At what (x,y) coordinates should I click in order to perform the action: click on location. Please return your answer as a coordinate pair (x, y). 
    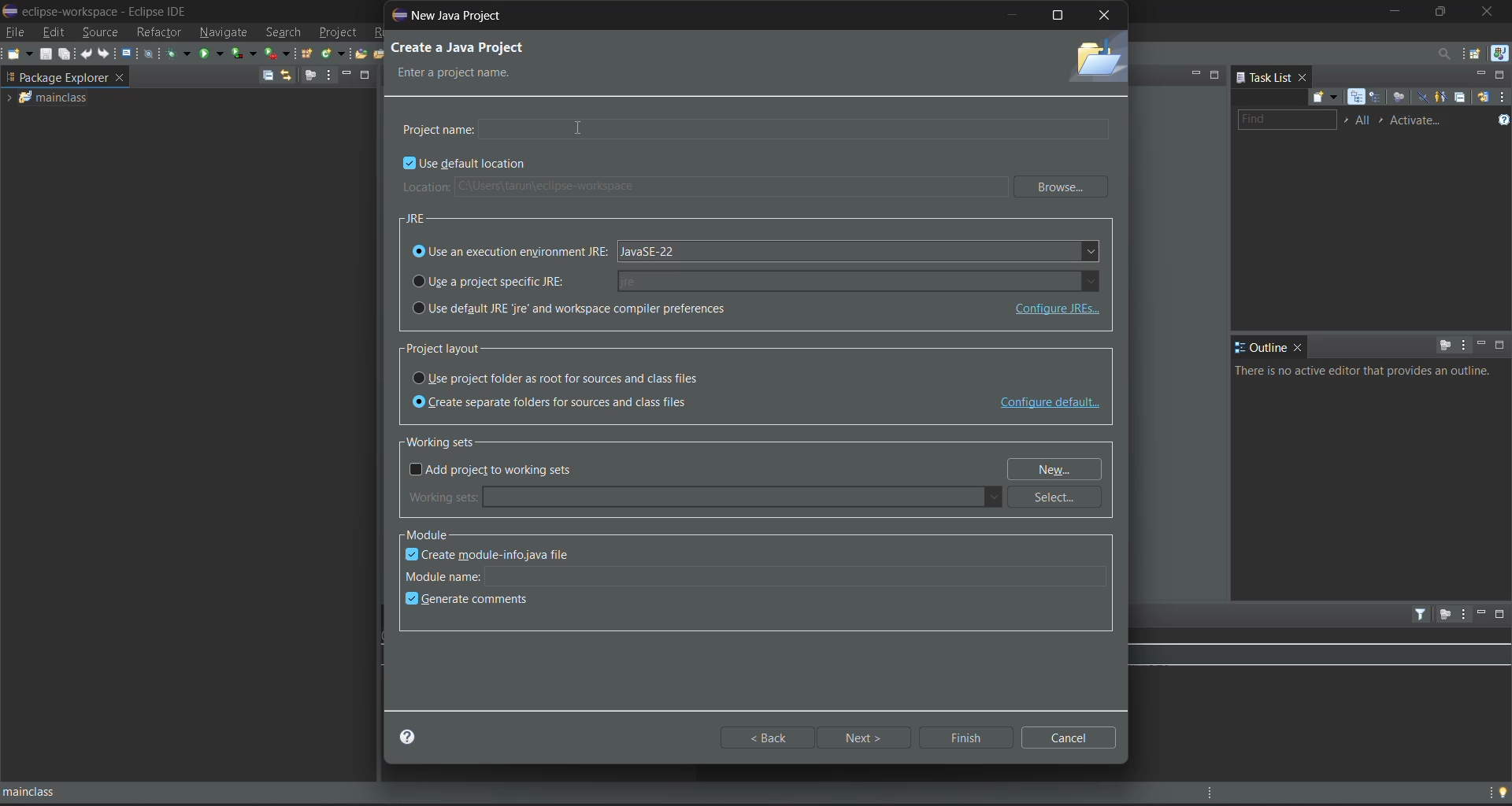
    Looking at the image, I should click on (702, 187).